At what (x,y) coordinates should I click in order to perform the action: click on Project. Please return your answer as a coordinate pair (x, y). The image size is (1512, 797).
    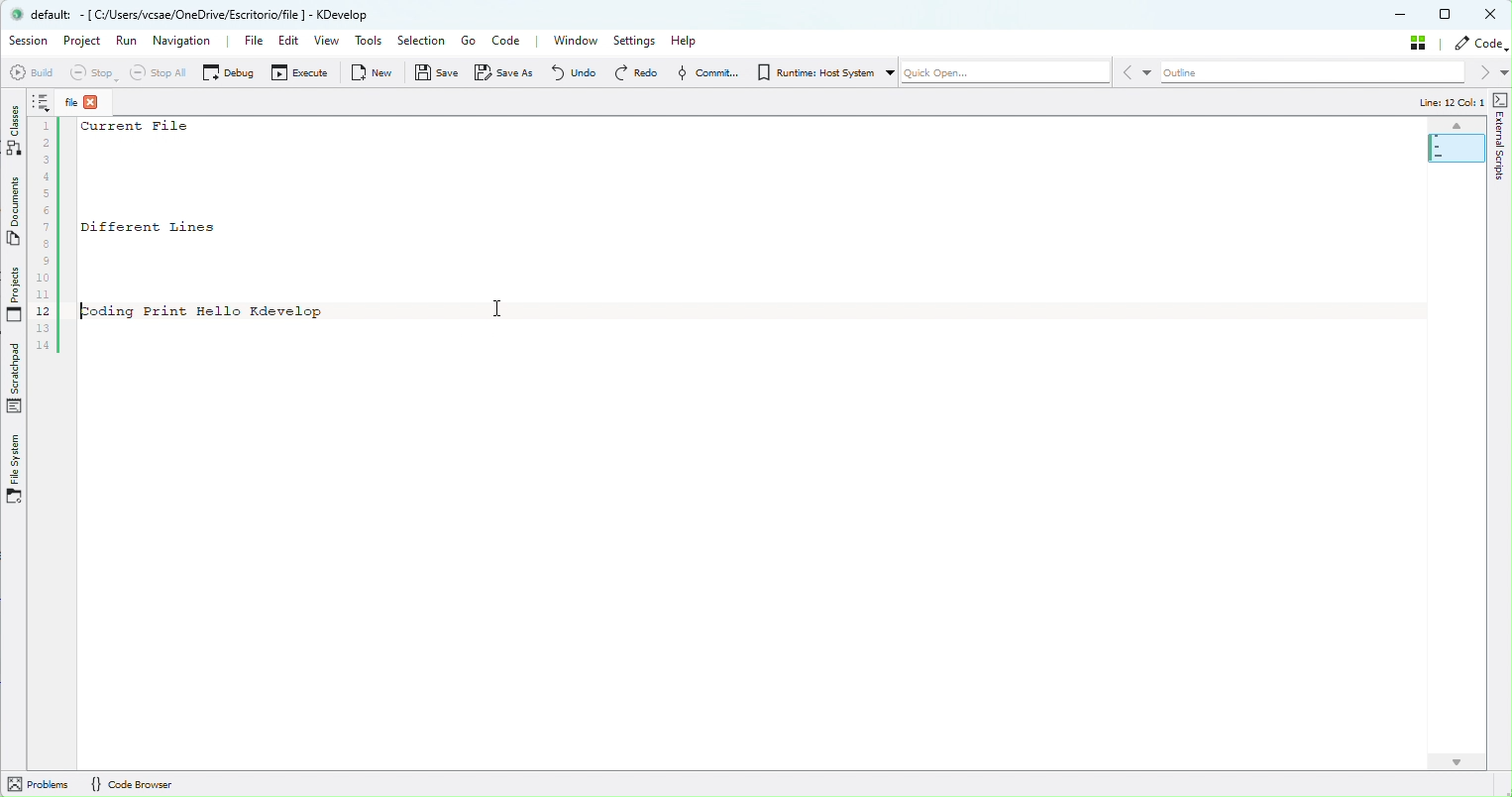
    Looking at the image, I should click on (79, 42).